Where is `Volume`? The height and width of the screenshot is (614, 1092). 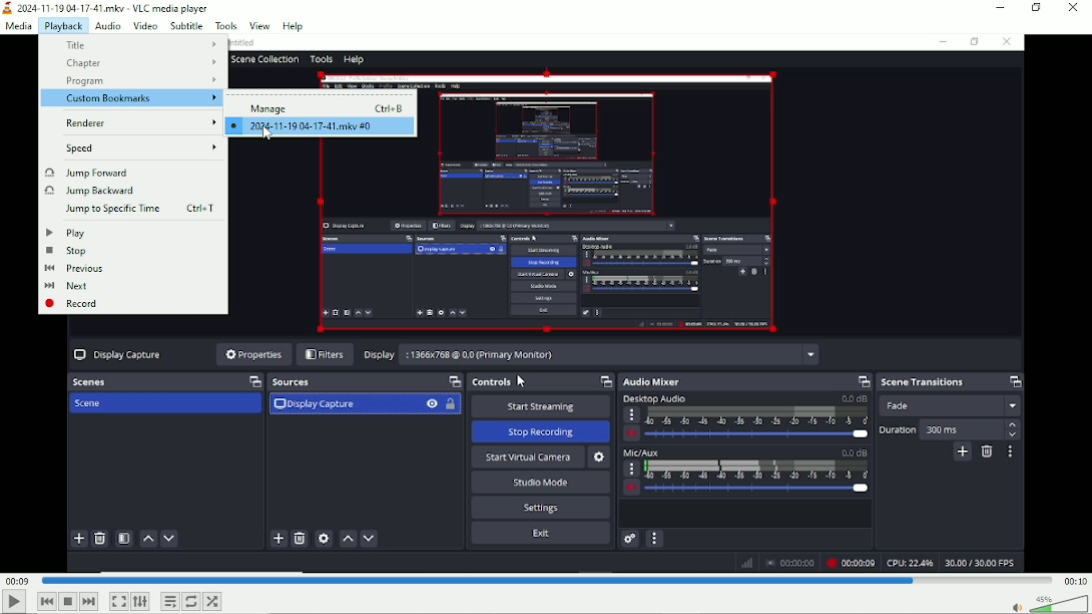
Volume is located at coordinates (1044, 604).